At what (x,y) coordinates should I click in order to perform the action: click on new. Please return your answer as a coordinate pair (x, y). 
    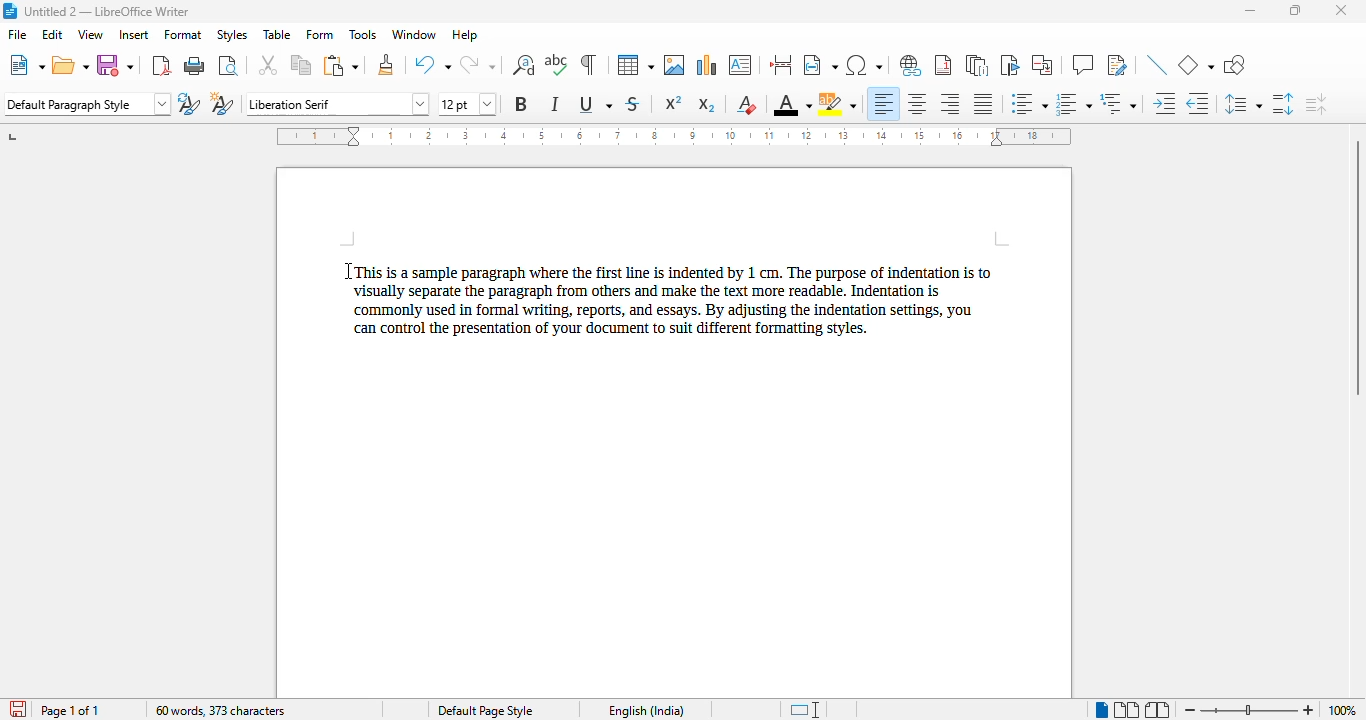
    Looking at the image, I should click on (27, 65).